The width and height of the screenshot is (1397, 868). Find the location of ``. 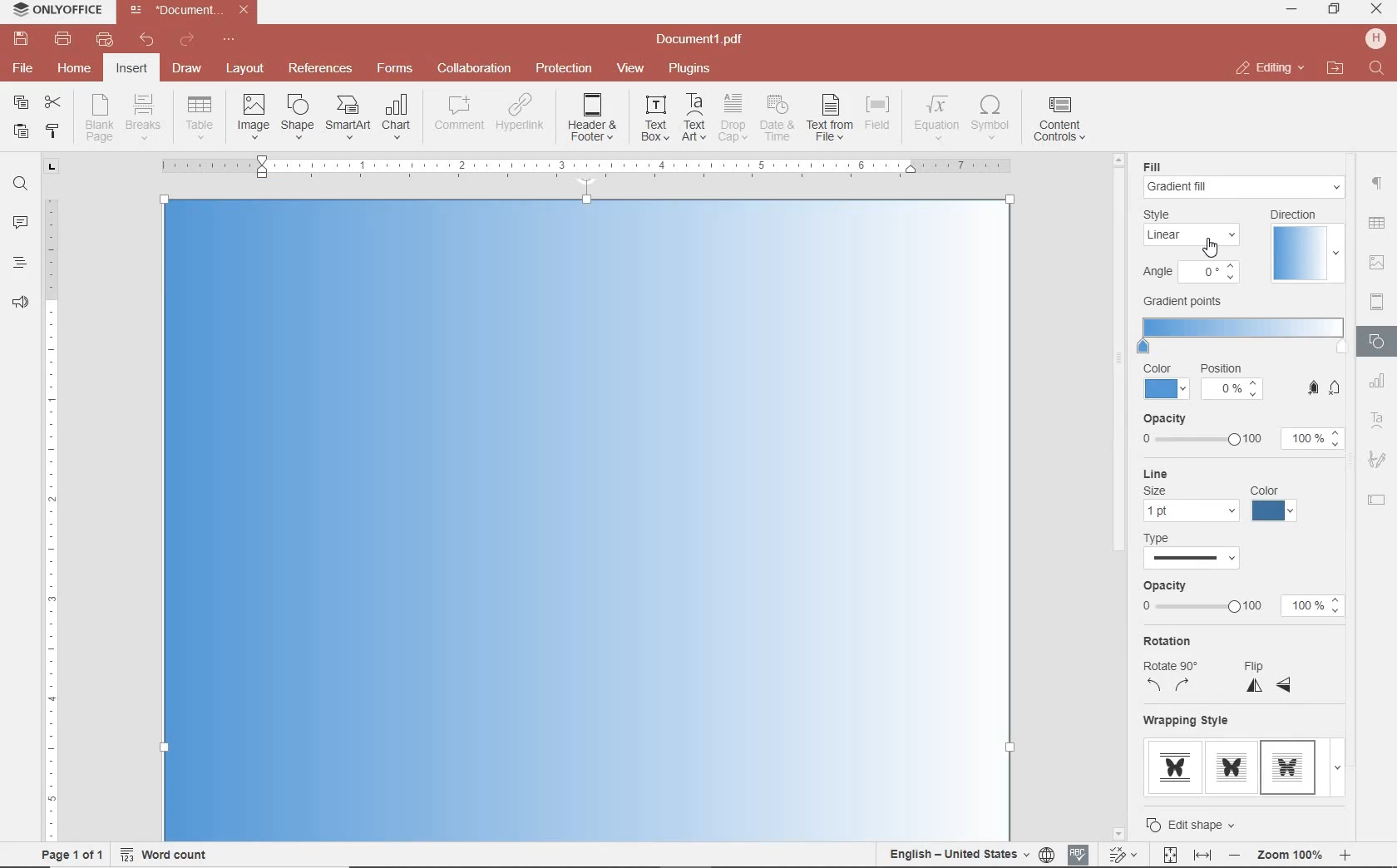

 is located at coordinates (588, 518).